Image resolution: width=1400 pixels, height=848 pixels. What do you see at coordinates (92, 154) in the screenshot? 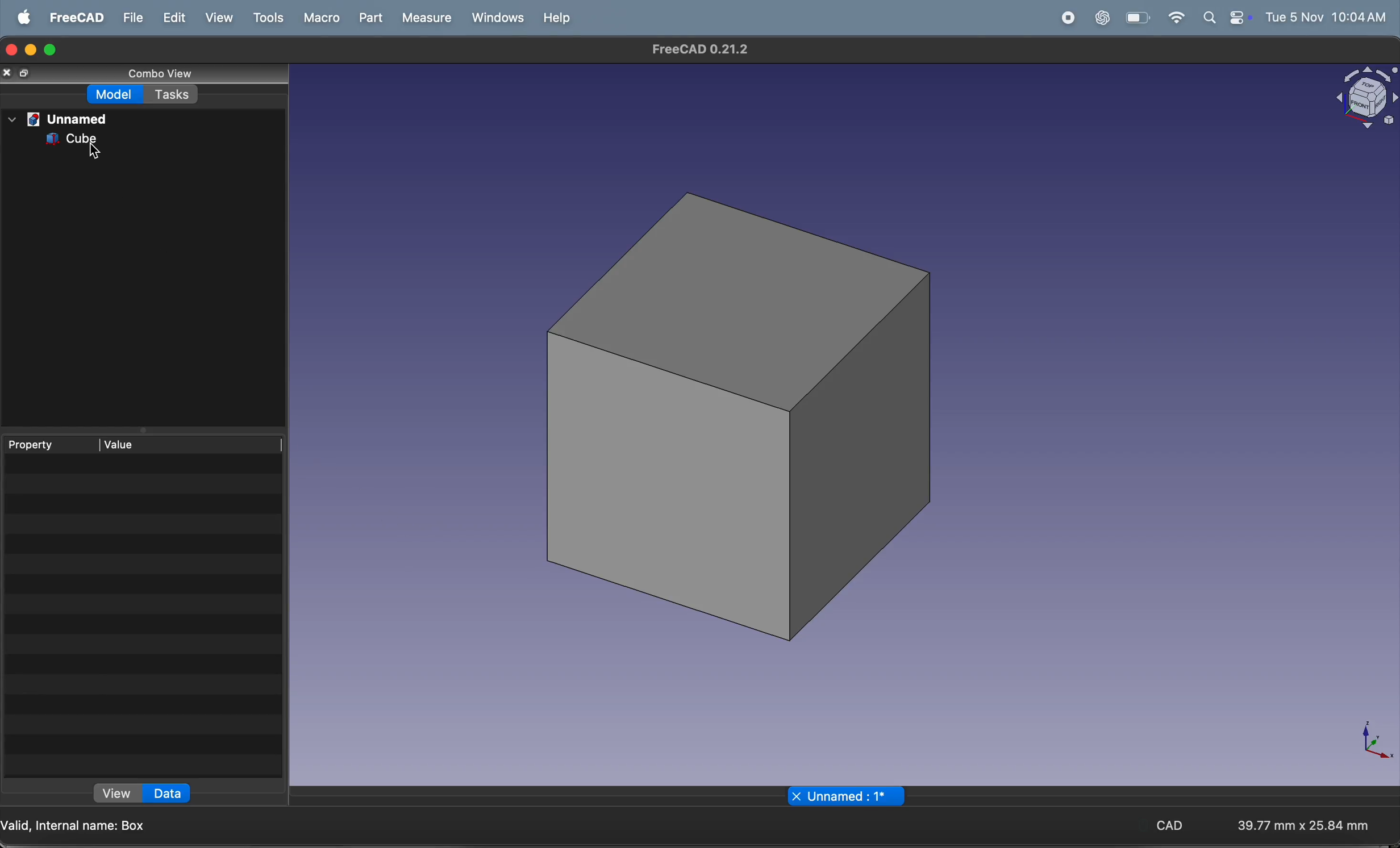
I see `Cursor` at bounding box center [92, 154].